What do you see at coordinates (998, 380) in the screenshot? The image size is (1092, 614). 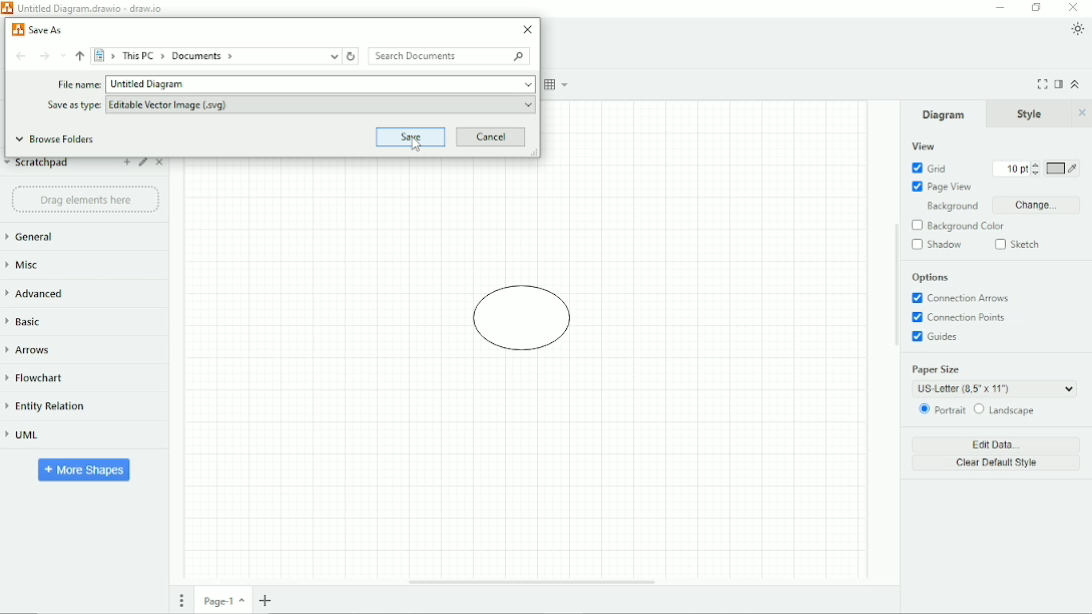 I see `Paper Size: US Letter (8.5' x 11')` at bounding box center [998, 380].